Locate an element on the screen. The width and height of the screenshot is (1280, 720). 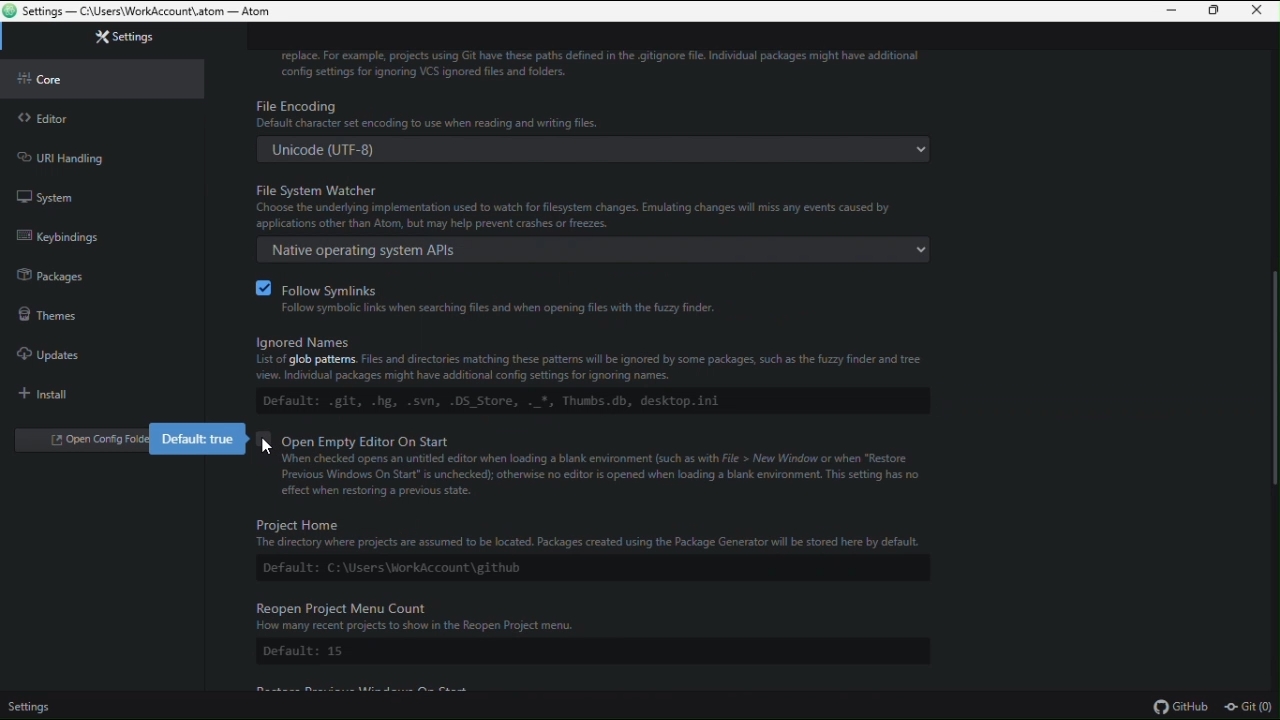
Updates is located at coordinates (67, 350).